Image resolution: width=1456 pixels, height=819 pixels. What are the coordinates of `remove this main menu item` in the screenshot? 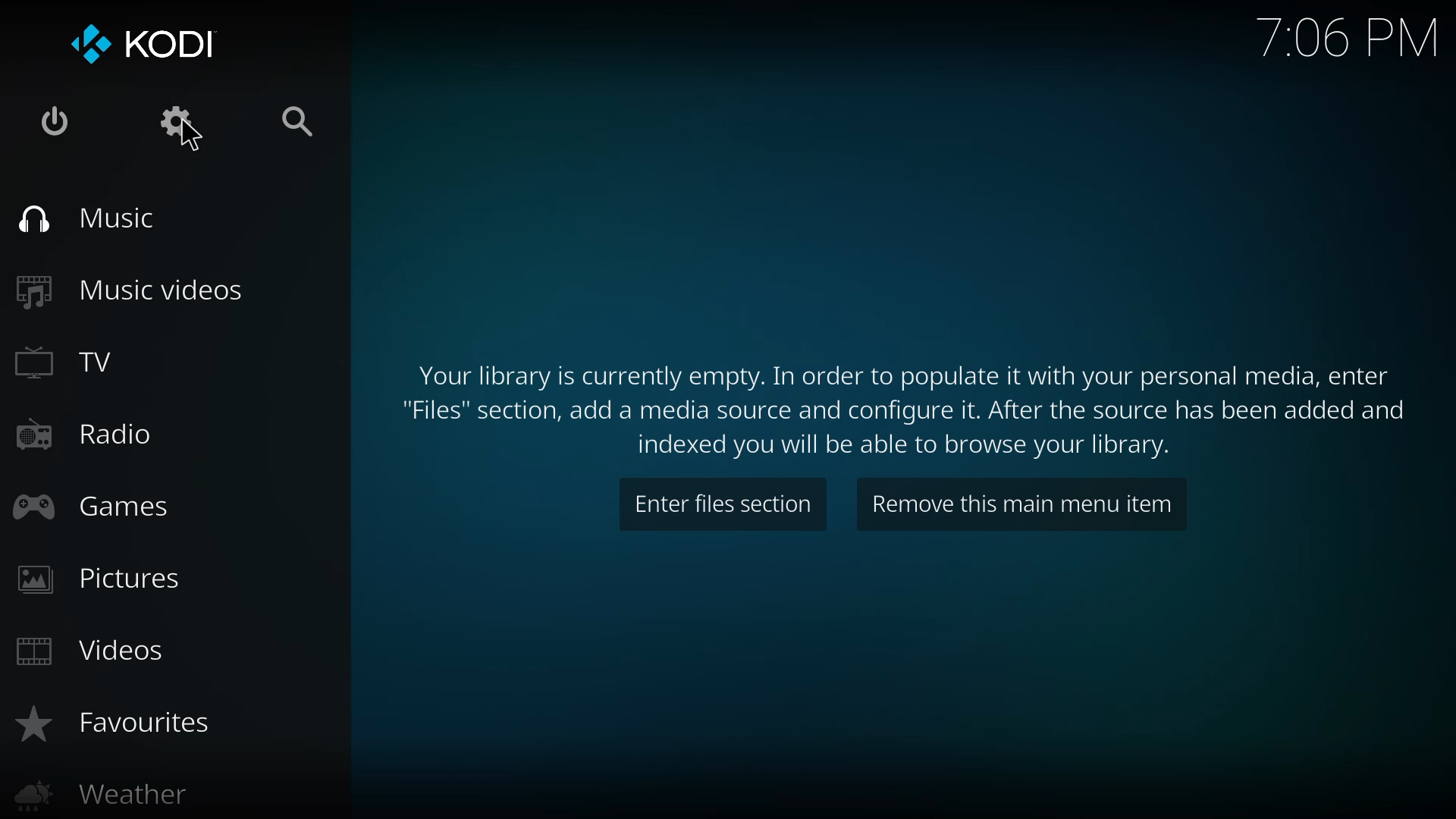 It's located at (1024, 510).